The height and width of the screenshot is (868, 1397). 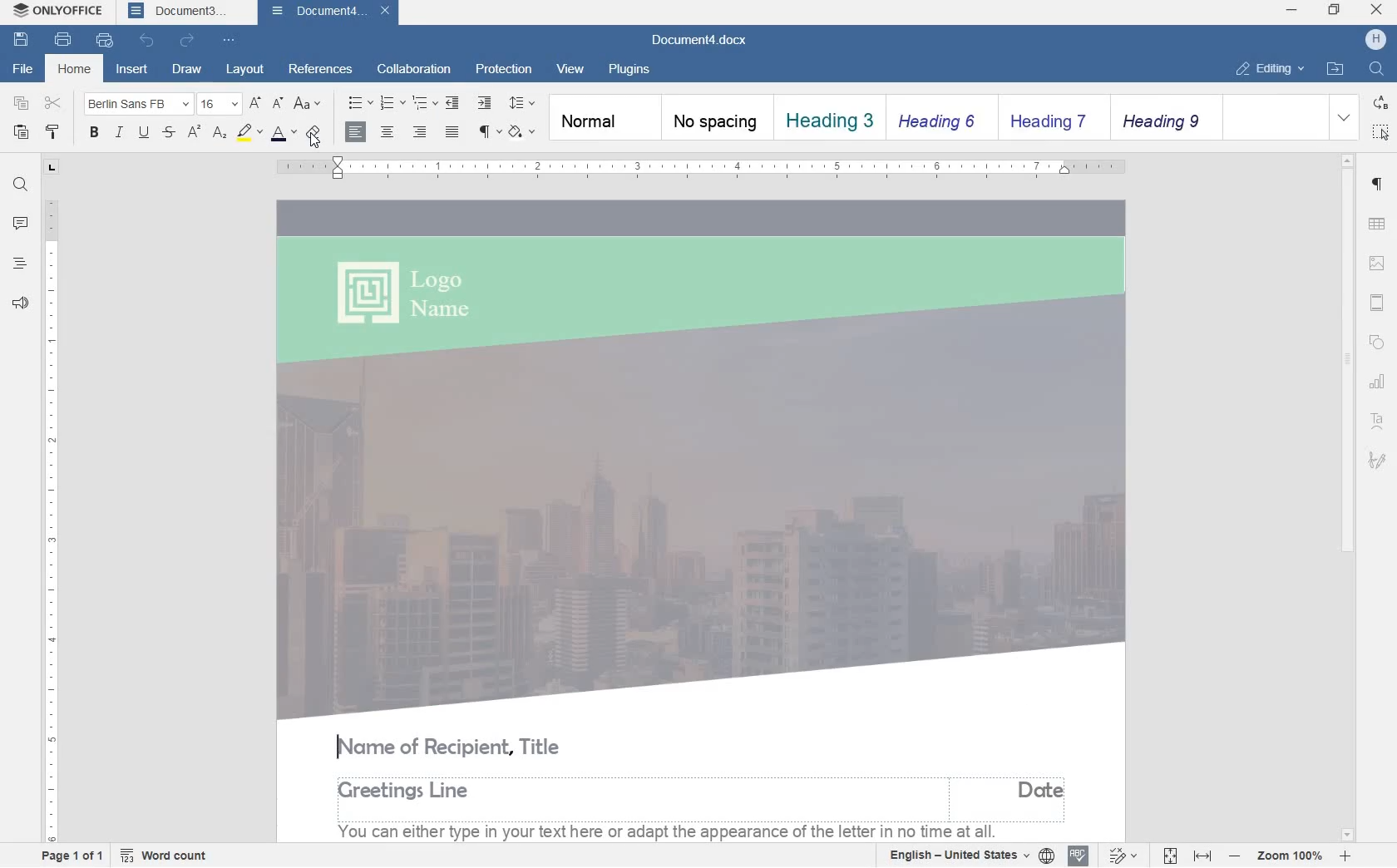 I want to click on heading 4, so click(x=1163, y=116).